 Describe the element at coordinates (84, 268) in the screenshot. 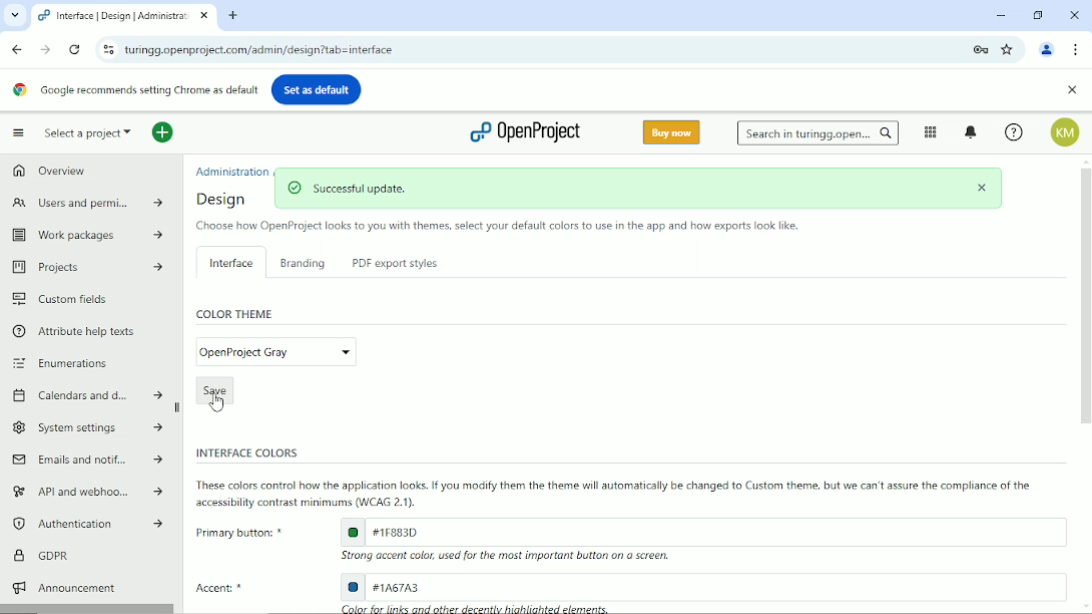

I see `Projects` at that location.